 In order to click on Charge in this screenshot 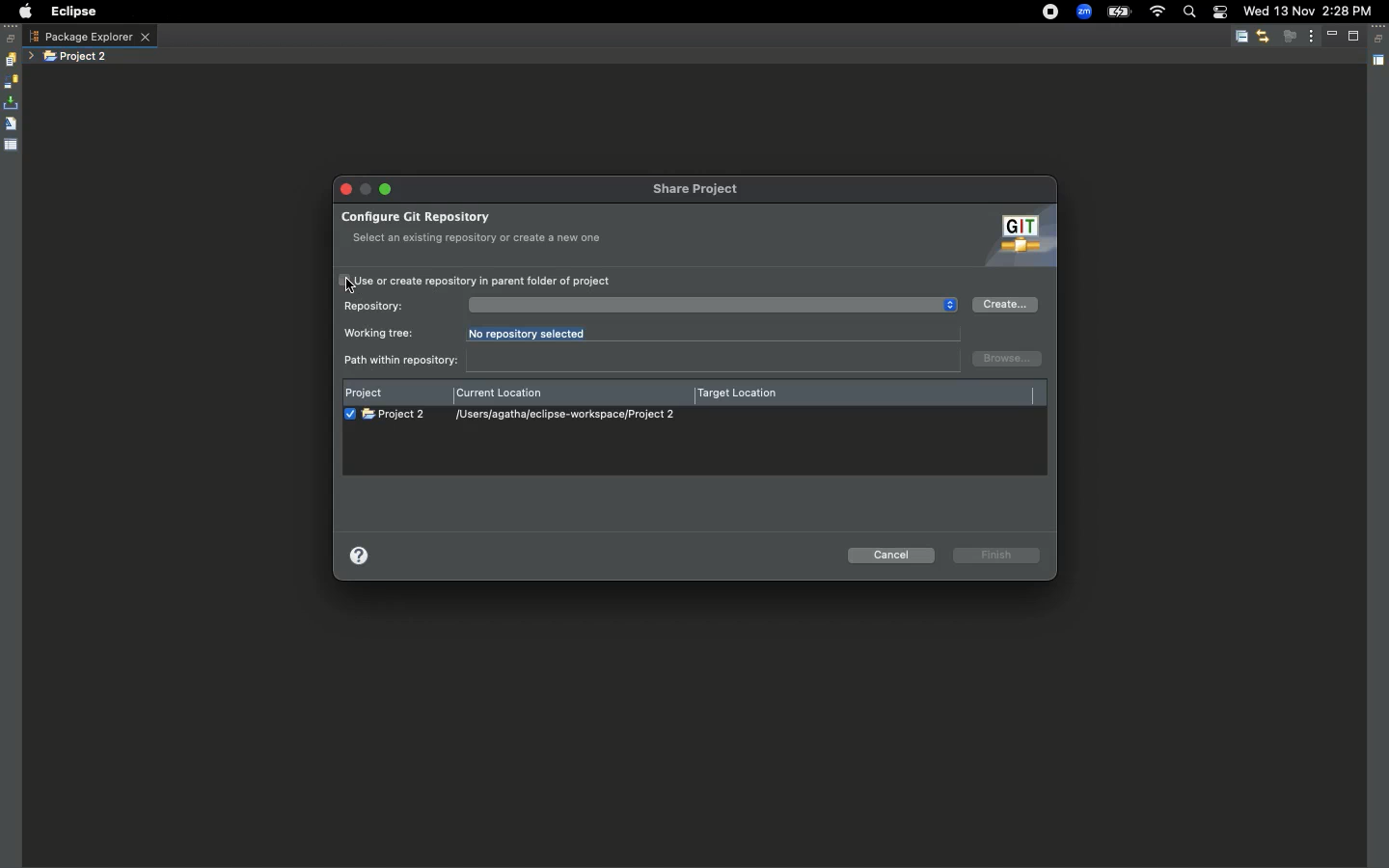, I will do `click(1118, 14)`.